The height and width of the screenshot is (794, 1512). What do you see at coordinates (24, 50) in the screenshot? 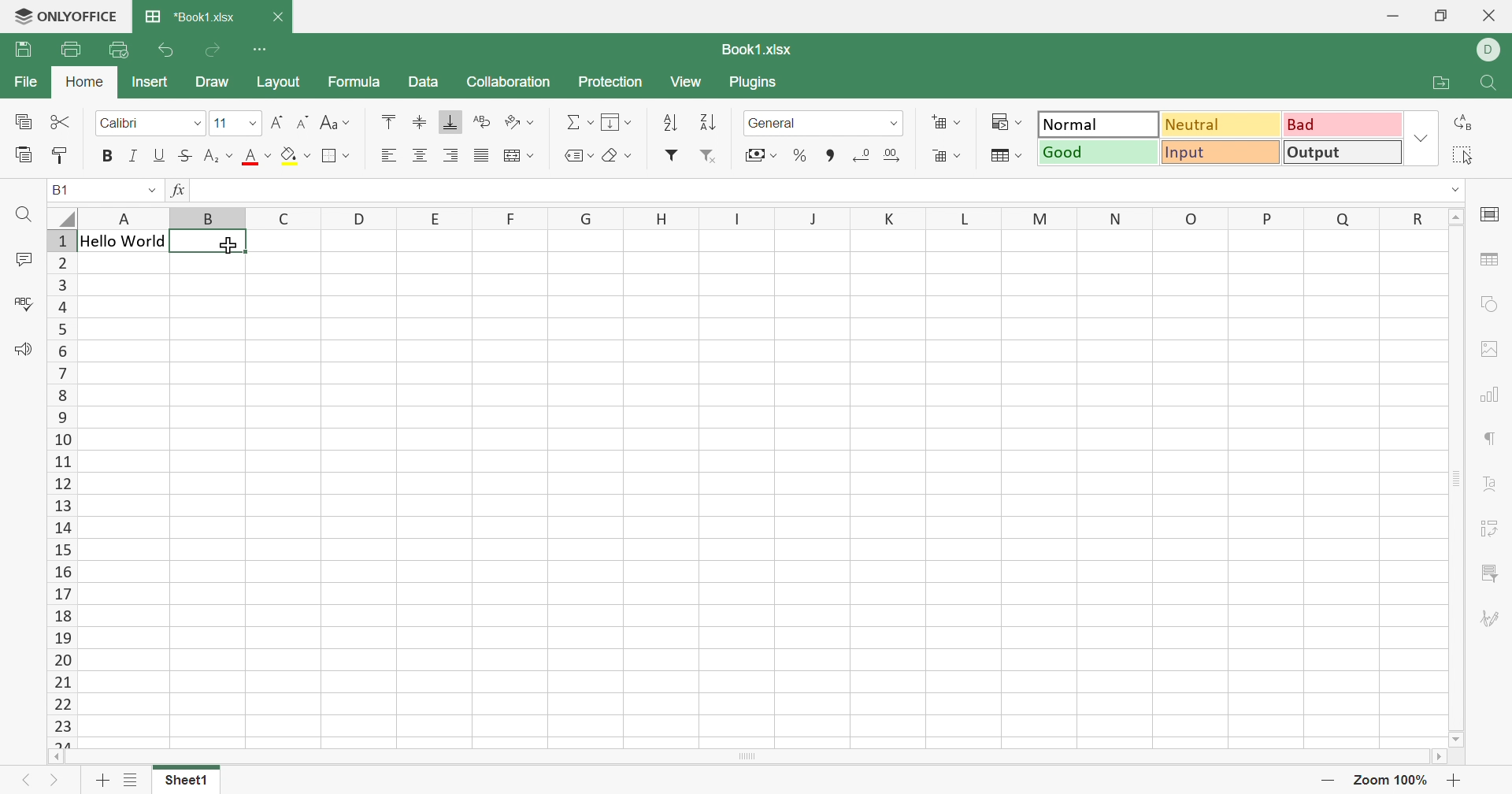
I see `Save` at bounding box center [24, 50].